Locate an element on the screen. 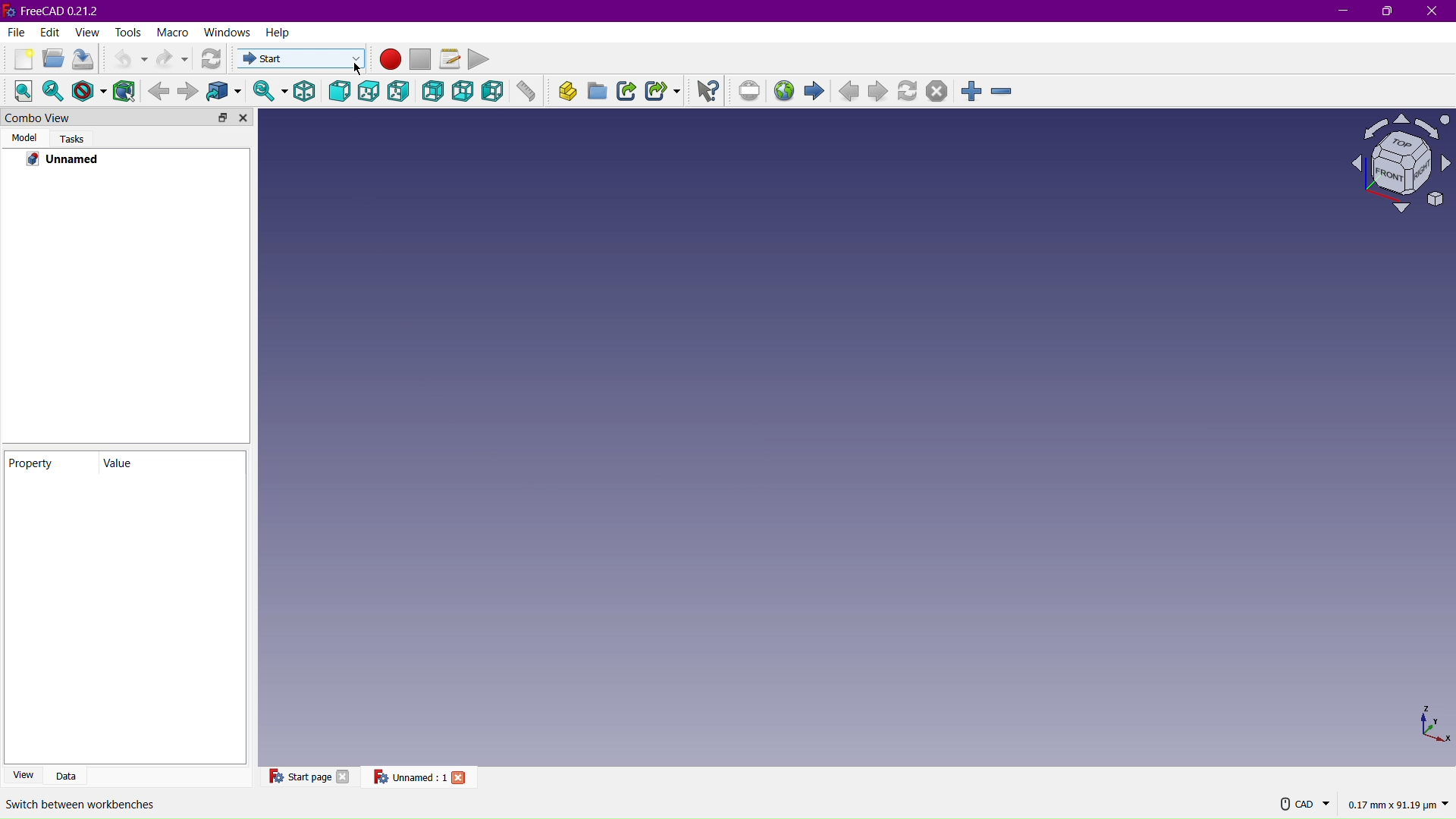 This screenshot has width=1456, height=819. Macros is located at coordinates (450, 57).